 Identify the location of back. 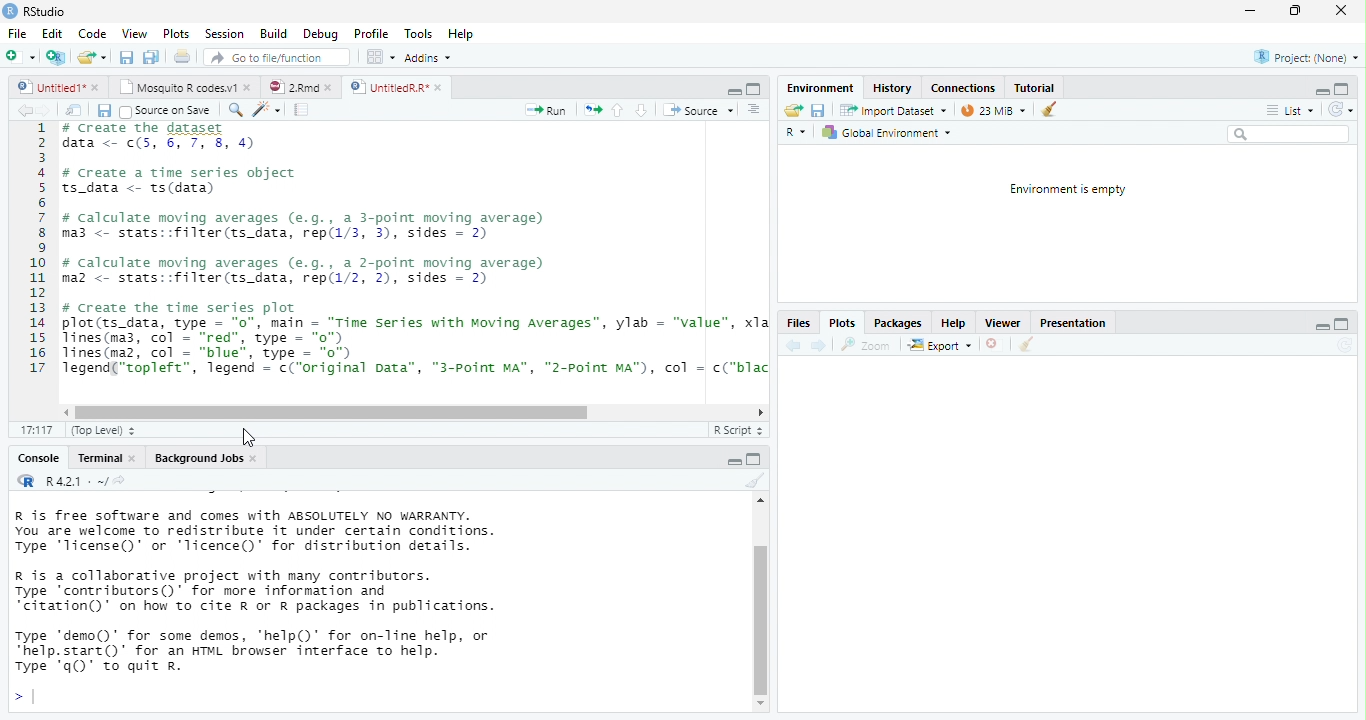
(24, 110).